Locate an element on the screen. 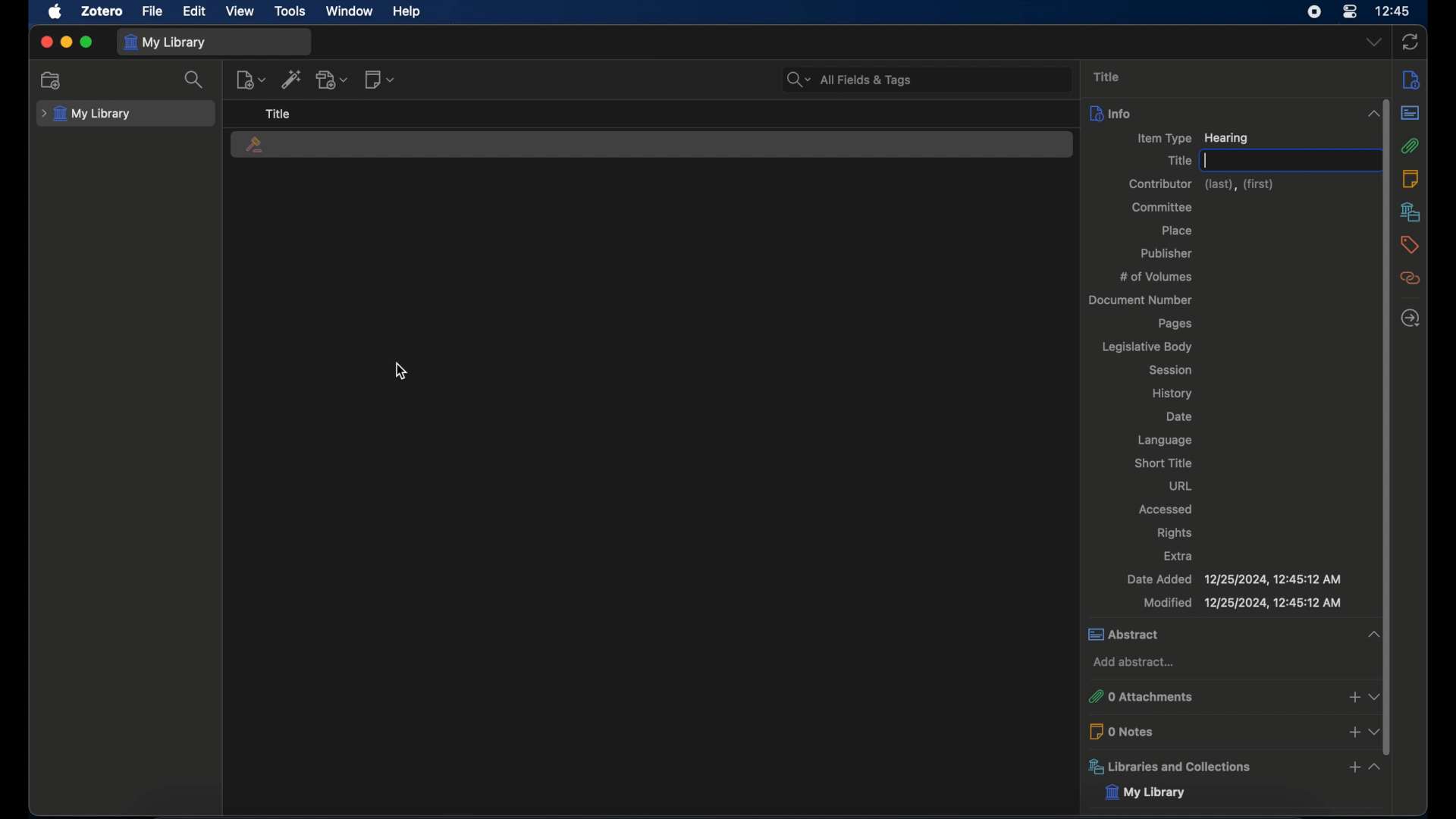  no of volumes is located at coordinates (1156, 276).